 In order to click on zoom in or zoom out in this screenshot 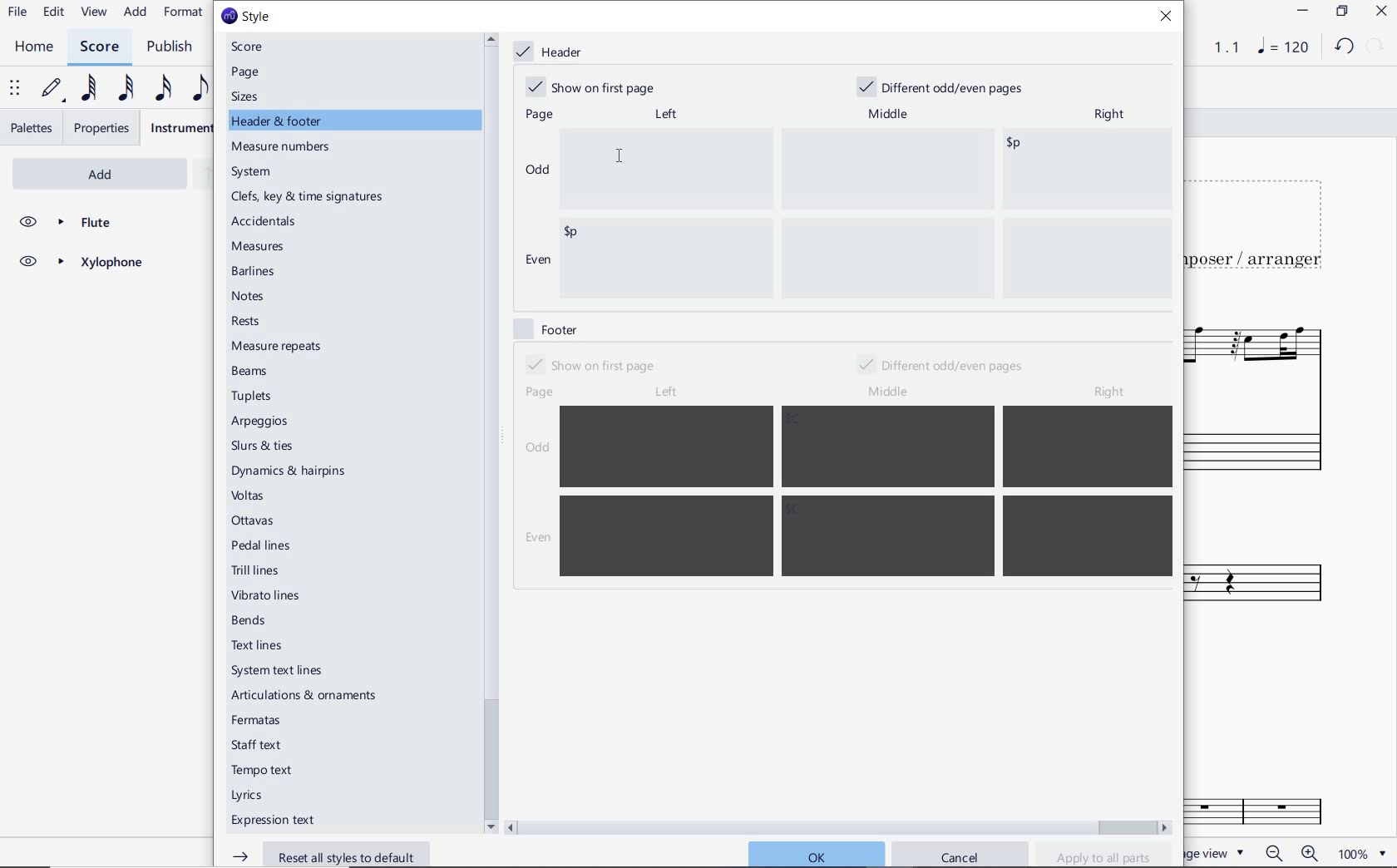, I will do `click(1290, 852)`.